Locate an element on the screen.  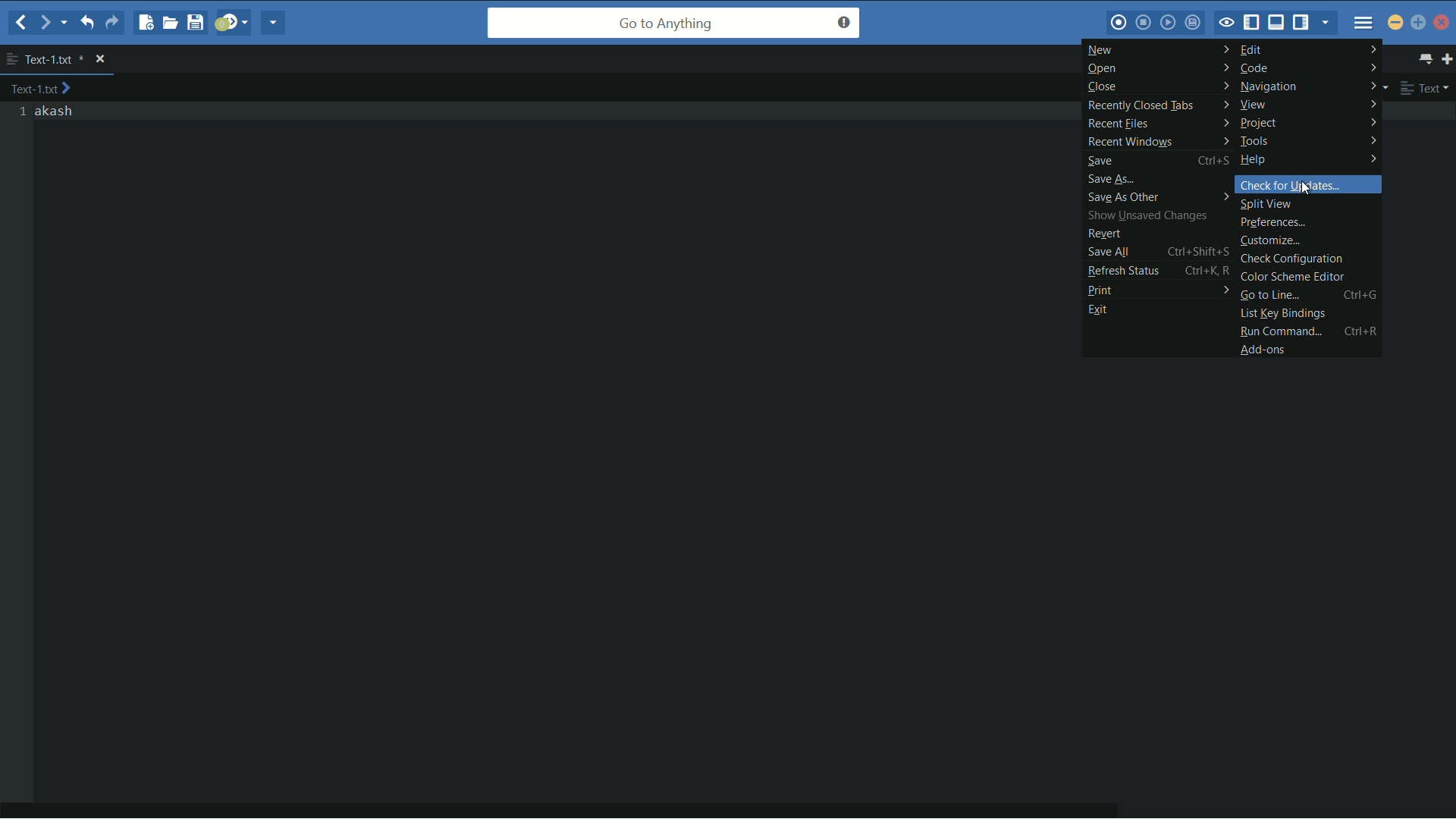
customize is located at coordinates (1308, 241).